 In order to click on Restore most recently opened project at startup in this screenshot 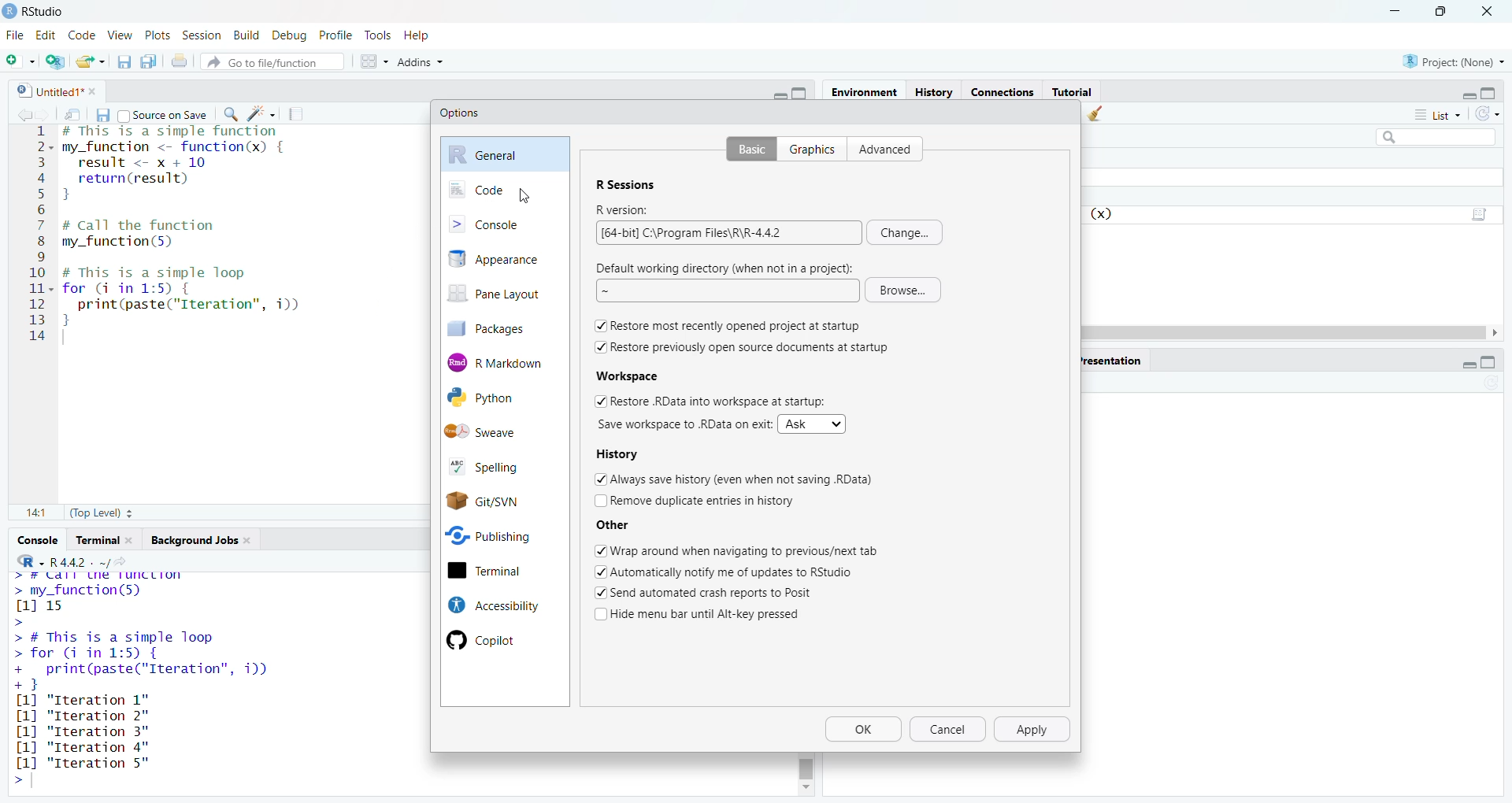, I will do `click(734, 325)`.